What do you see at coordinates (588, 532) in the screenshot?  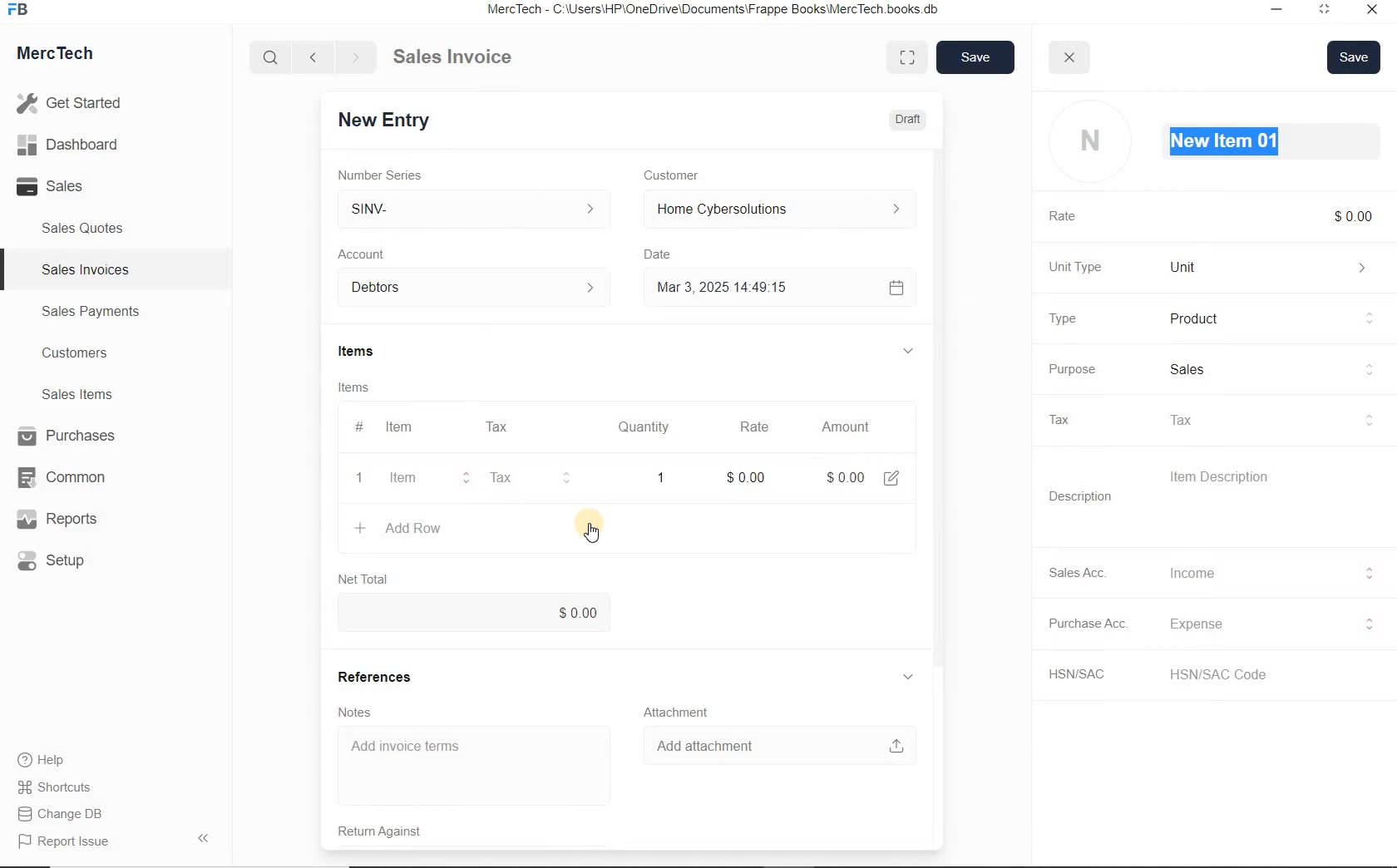 I see `cursor` at bounding box center [588, 532].